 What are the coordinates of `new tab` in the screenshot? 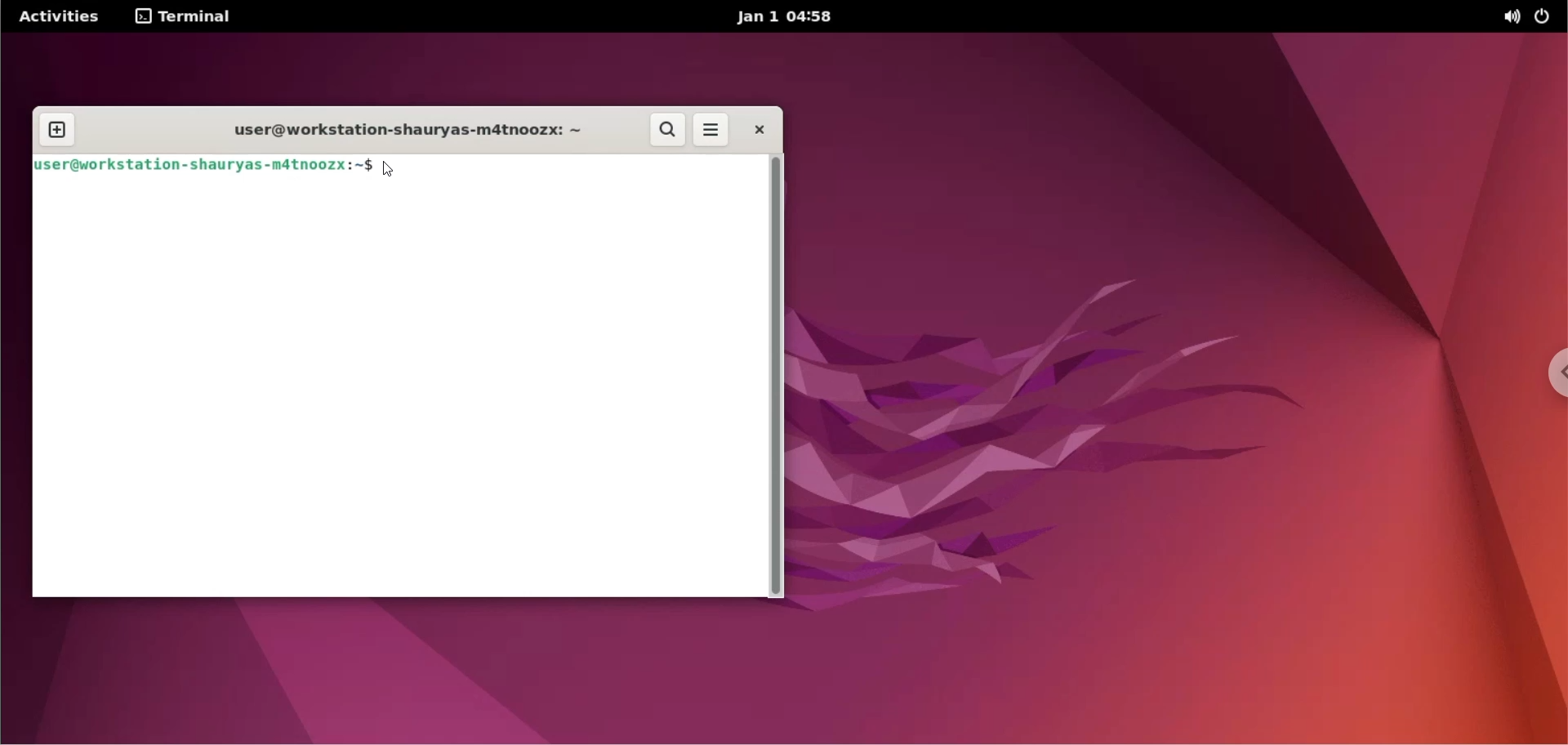 It's located at (60, 130).